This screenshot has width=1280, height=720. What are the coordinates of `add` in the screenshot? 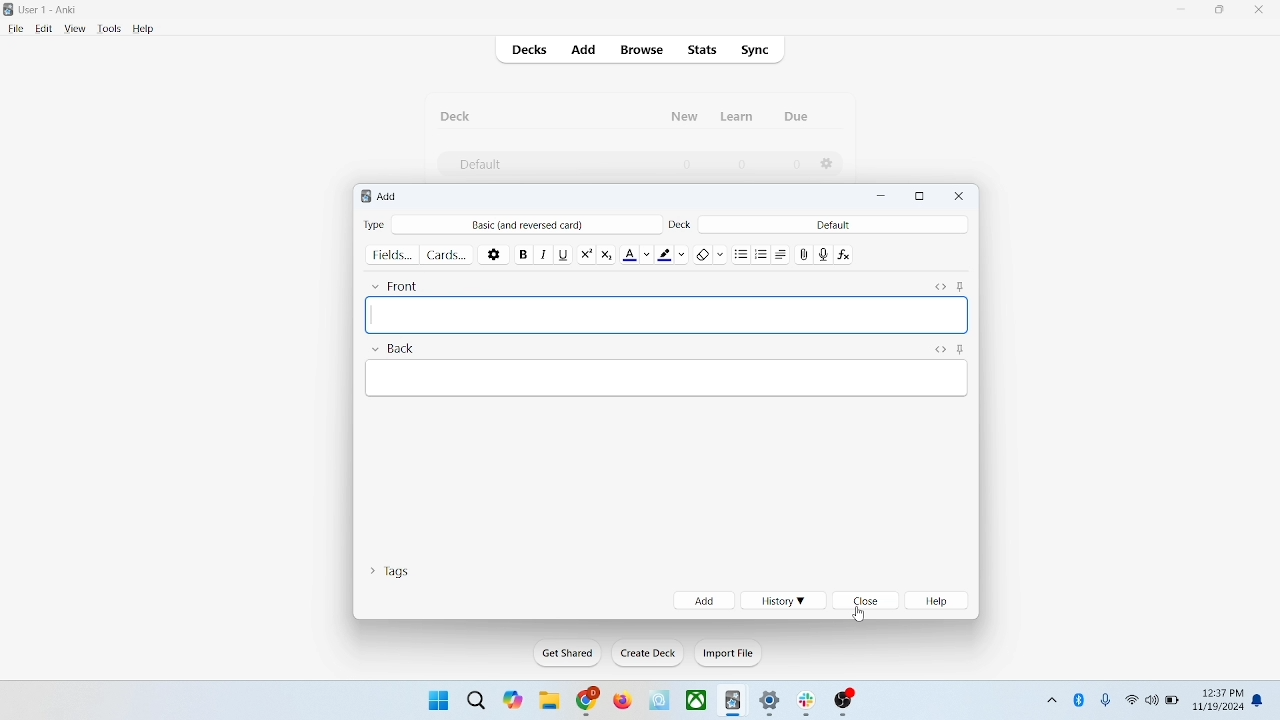 It's located at (704, 600).